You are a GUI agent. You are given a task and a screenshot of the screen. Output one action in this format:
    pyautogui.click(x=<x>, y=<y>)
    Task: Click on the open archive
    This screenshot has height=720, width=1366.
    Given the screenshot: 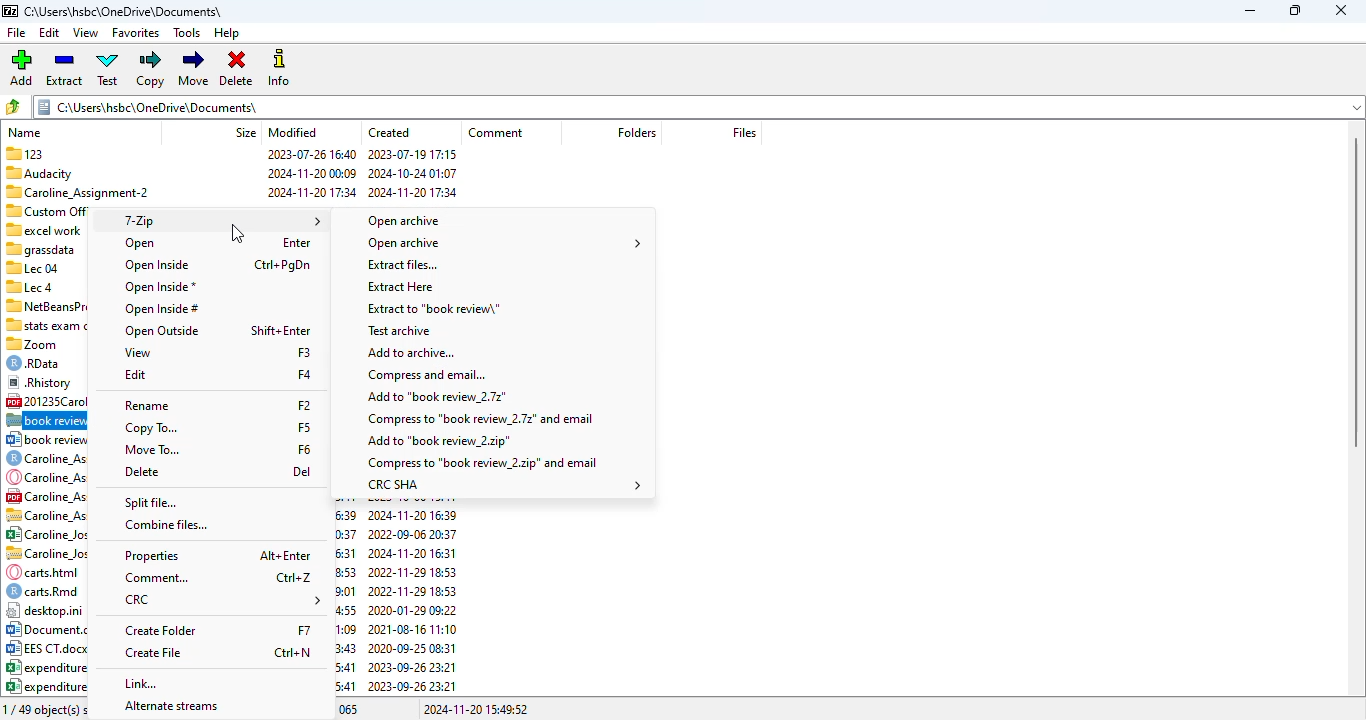 What is the action you would take?
    pyautogui.click(x=503, y=244)
    